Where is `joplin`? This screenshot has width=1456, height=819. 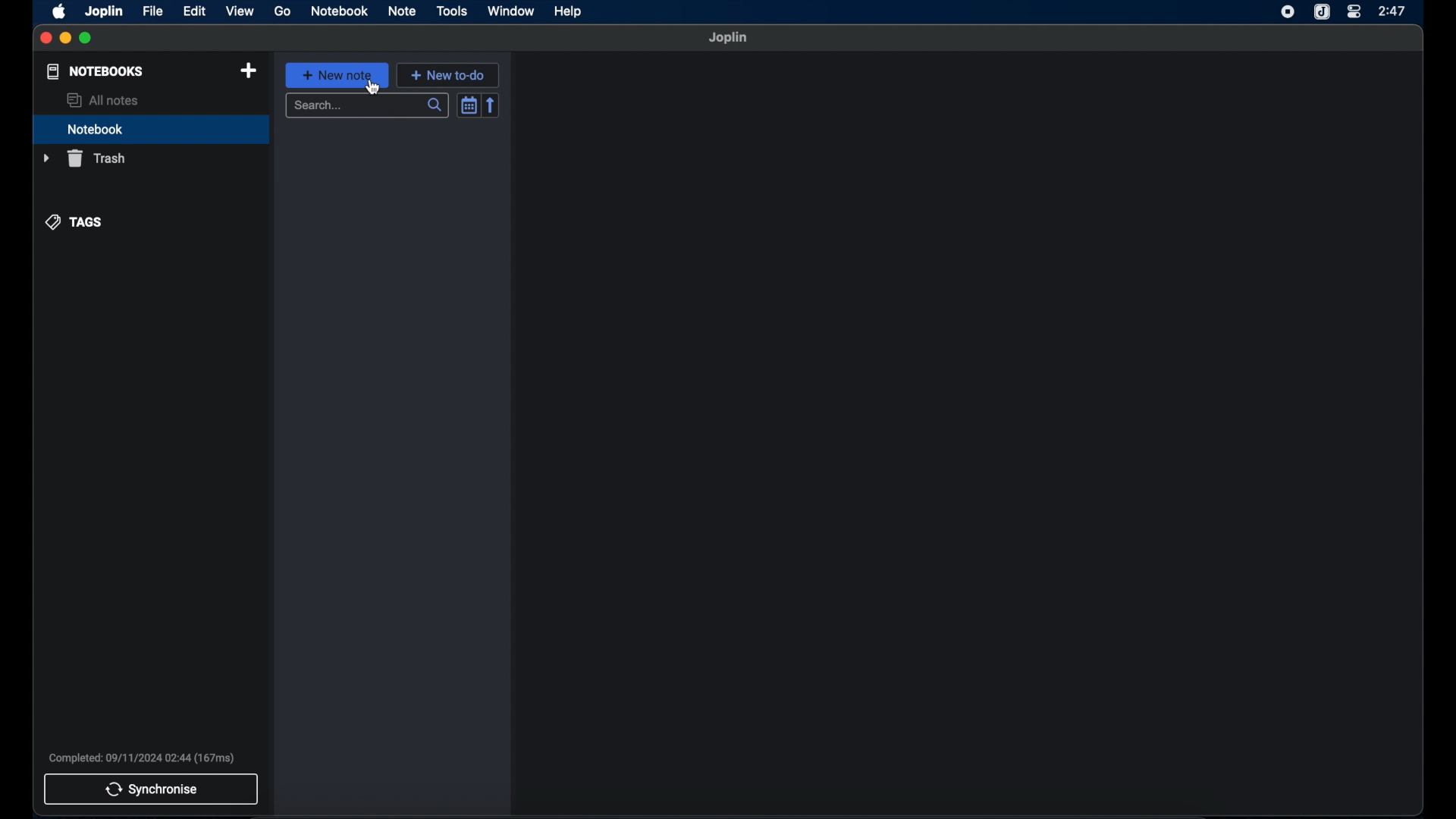
joplin is located at coordinates (729, 37).